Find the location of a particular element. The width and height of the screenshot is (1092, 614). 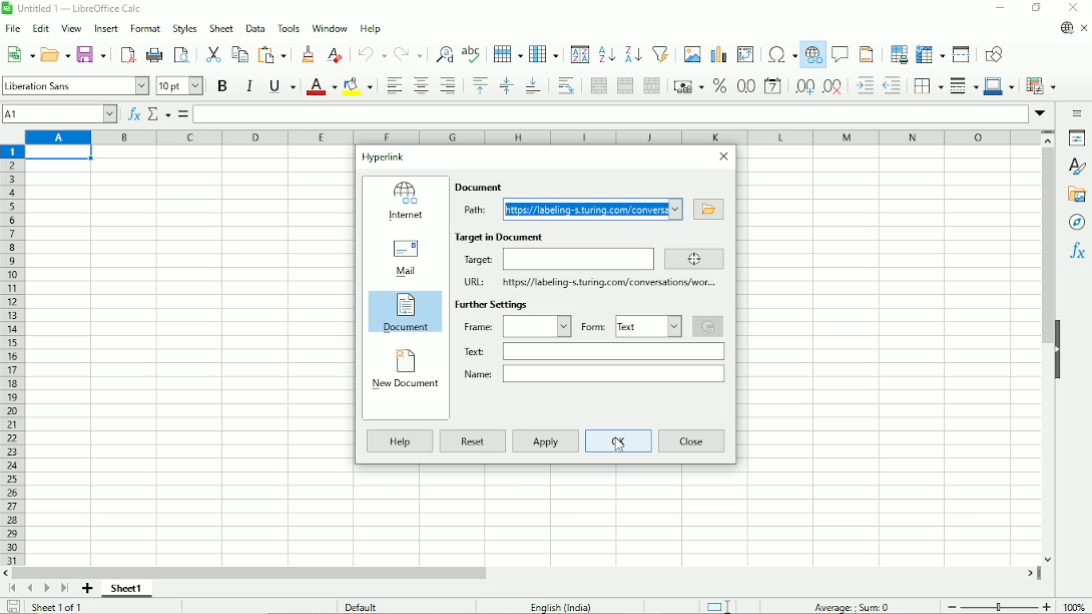

Conditional is located at coordinates (1042, 85).